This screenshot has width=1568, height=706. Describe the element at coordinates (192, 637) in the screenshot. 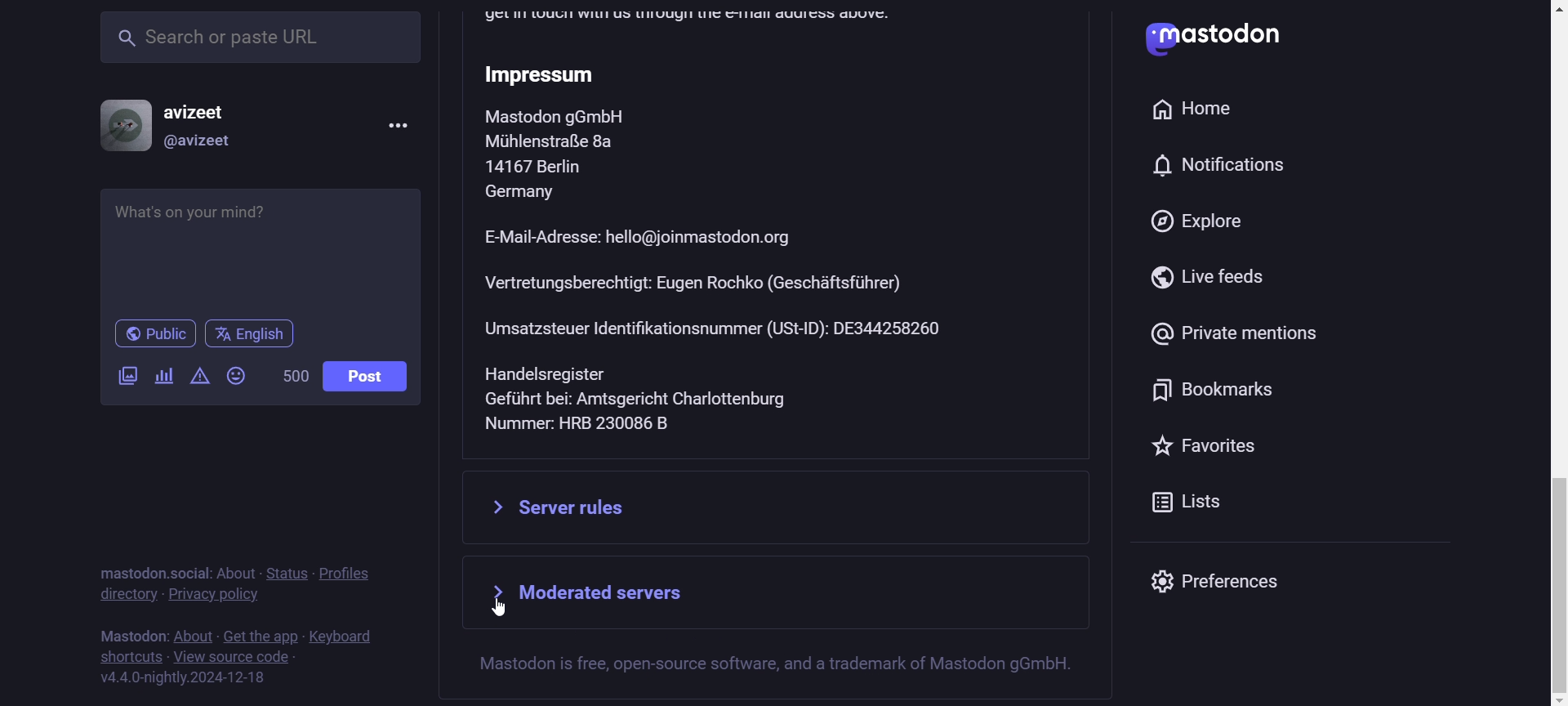

I see `about` at that location.